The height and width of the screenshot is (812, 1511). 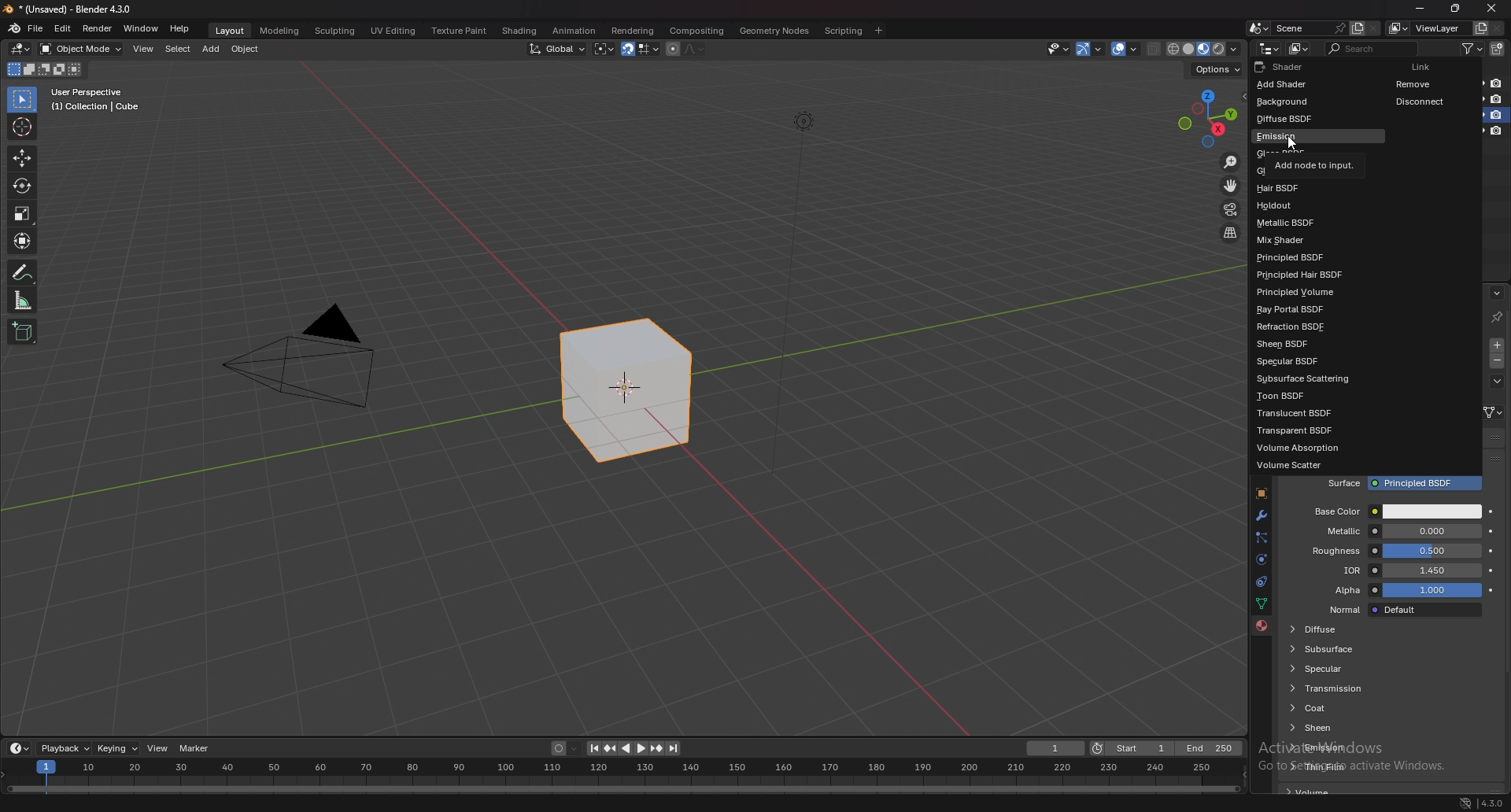 What do you see at coordinates (1304, 151) in the screenshot?
I see `glass bsdf` at bounding box center [1304, 151].